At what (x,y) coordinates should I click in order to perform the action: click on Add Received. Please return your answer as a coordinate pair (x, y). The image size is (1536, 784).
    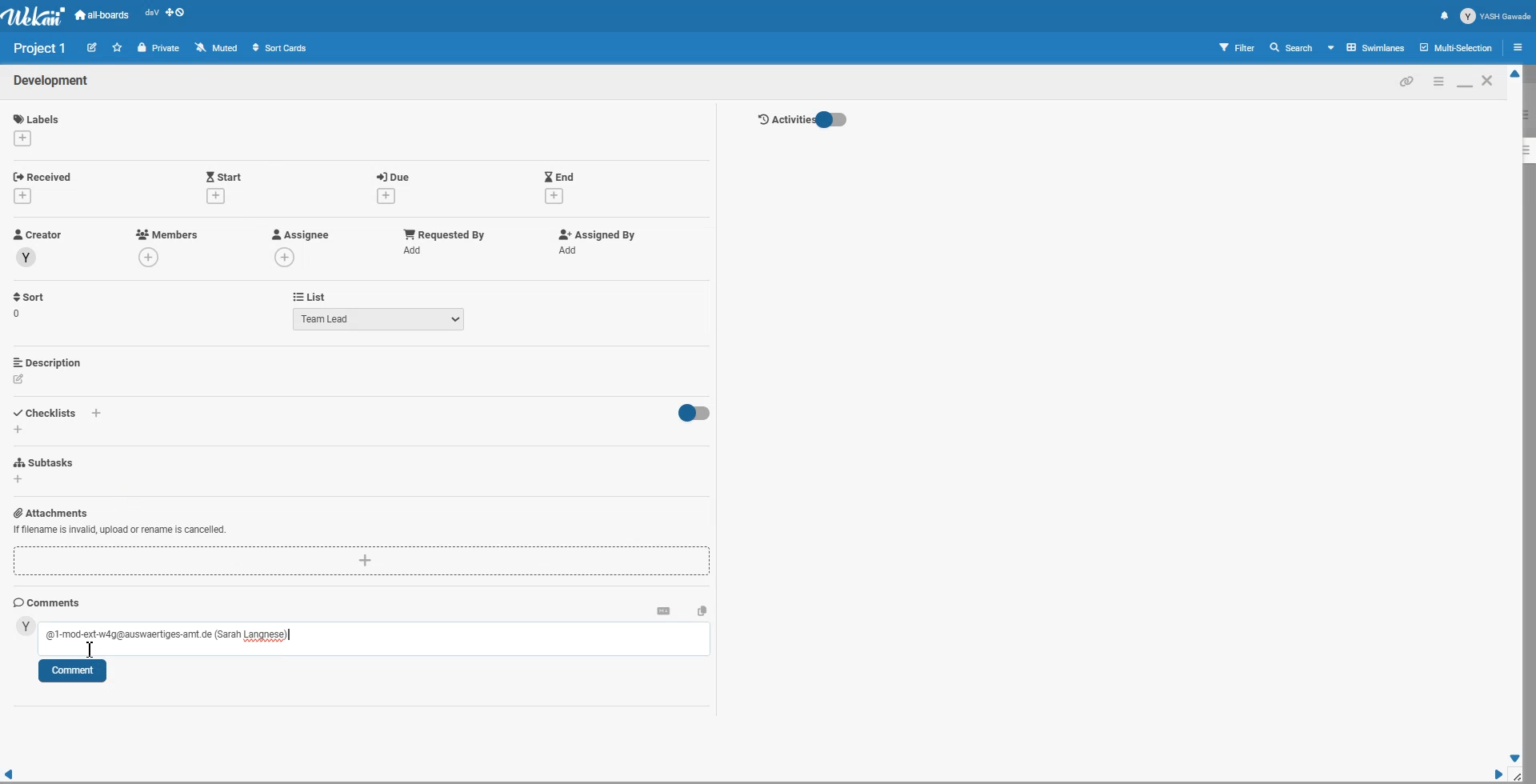
    Looking at the image, I should click on (46, 175).